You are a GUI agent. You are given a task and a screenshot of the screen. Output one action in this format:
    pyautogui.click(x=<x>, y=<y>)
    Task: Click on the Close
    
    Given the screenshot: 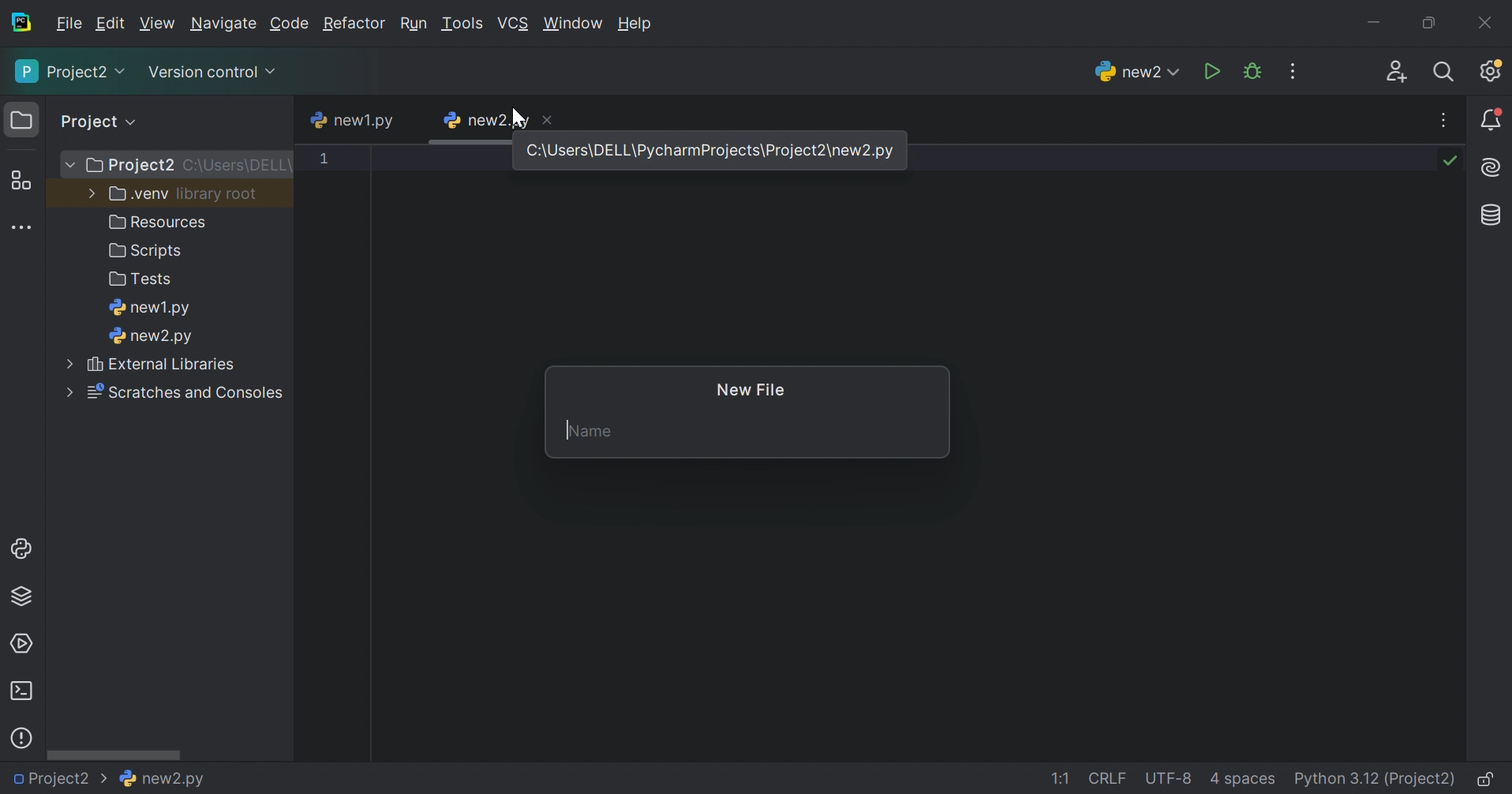 What is the action you would take?
    pyautogui.click(x=1488, y=22)
    